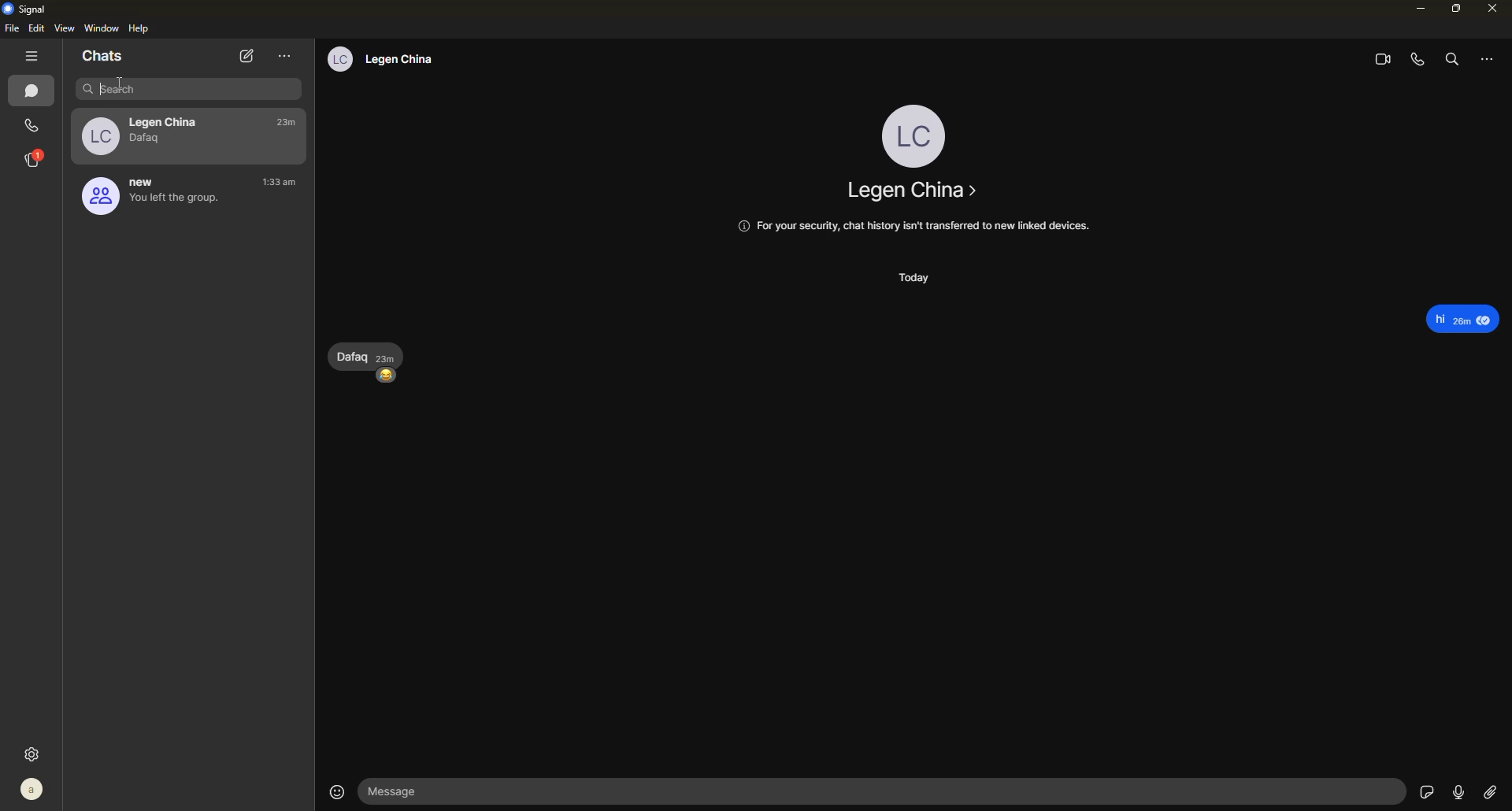 This screenshot has width=1512, height=811. Describe the element at coordinates (34, 791) in the screenshot. I see `profile` at that location.